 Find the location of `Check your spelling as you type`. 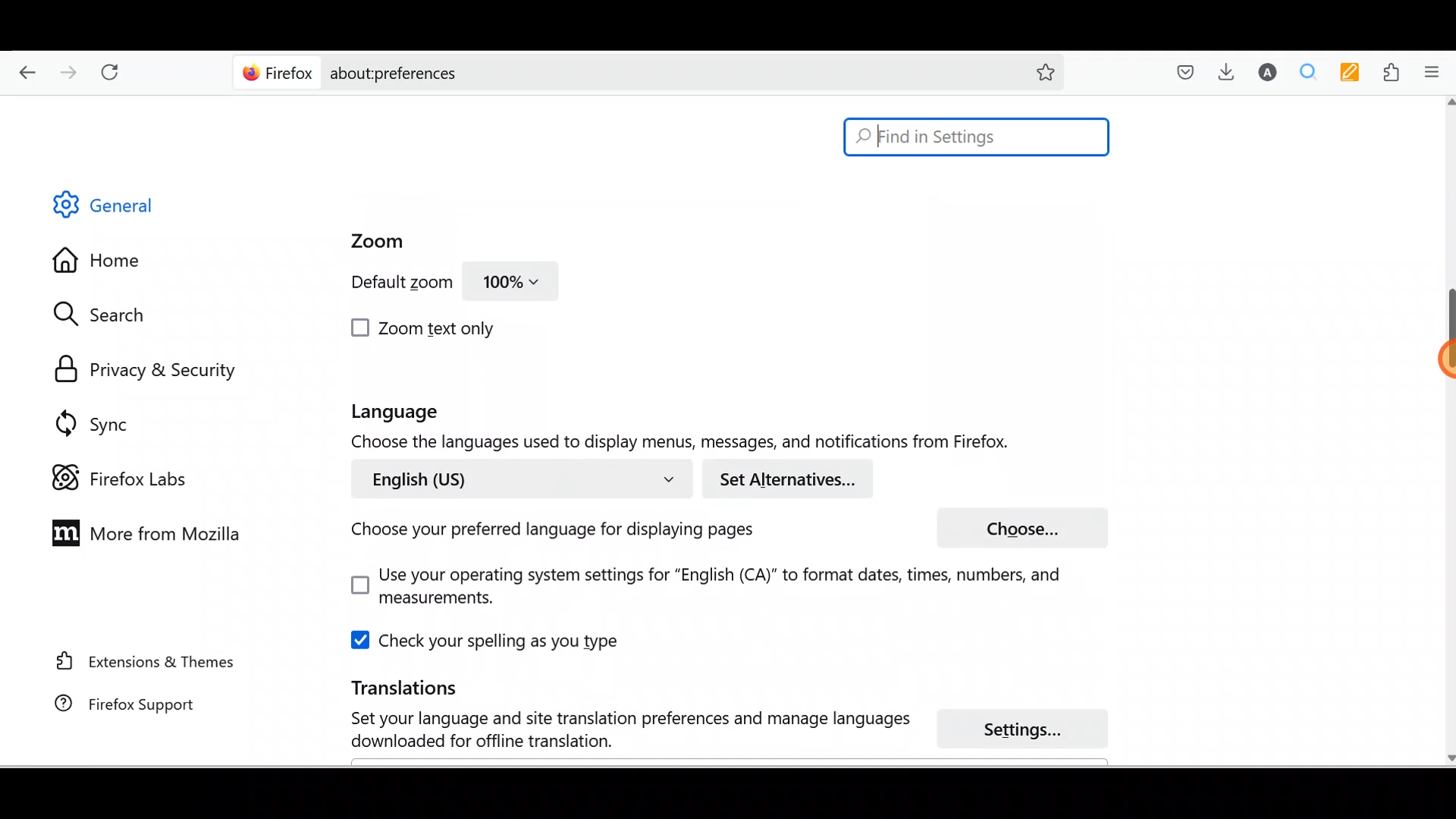

Check your spelling as you type is located at coordinates (489, 640).